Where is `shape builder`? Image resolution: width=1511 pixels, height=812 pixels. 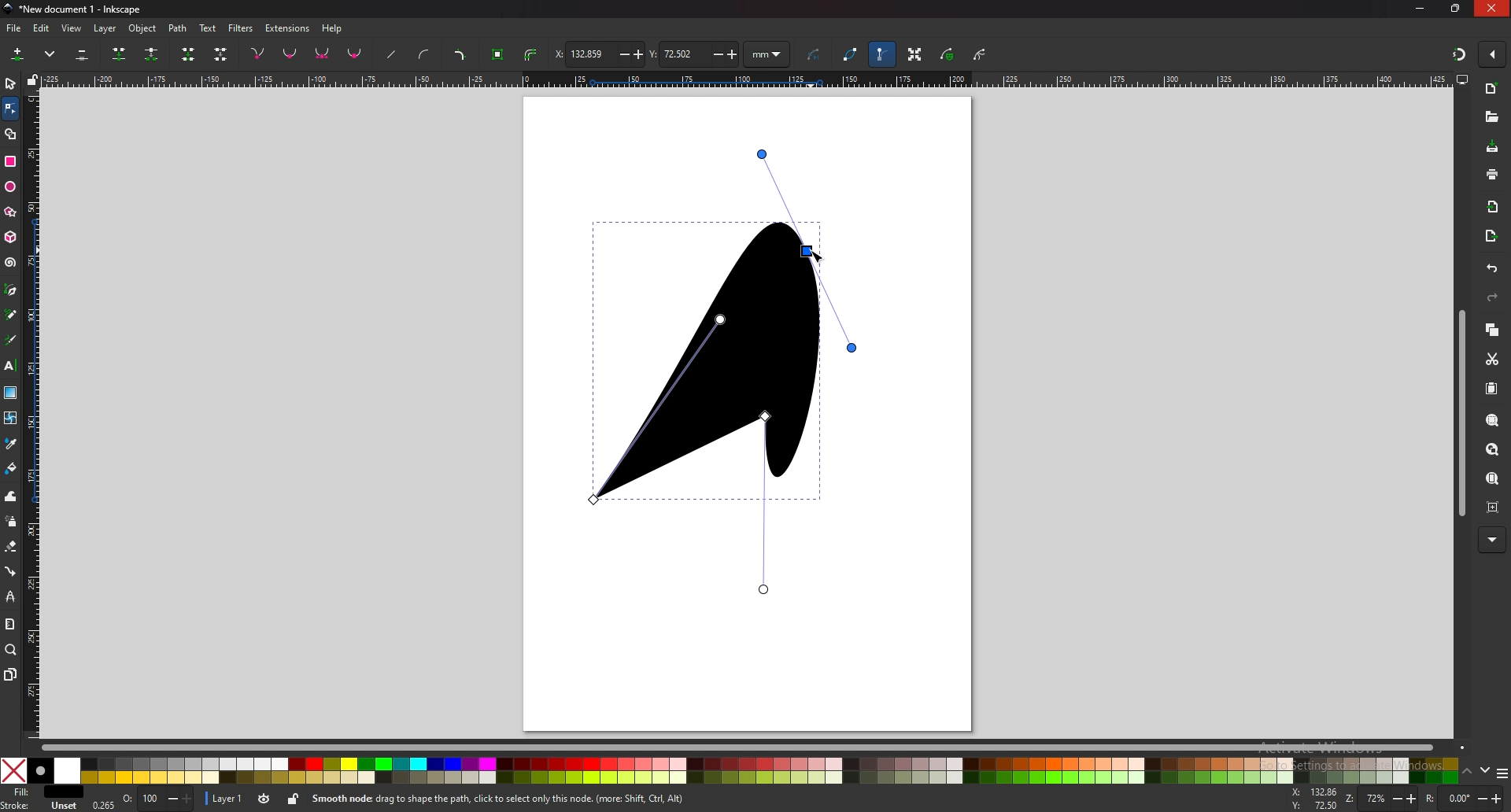 shape builder is located at coordinates (11, 134).